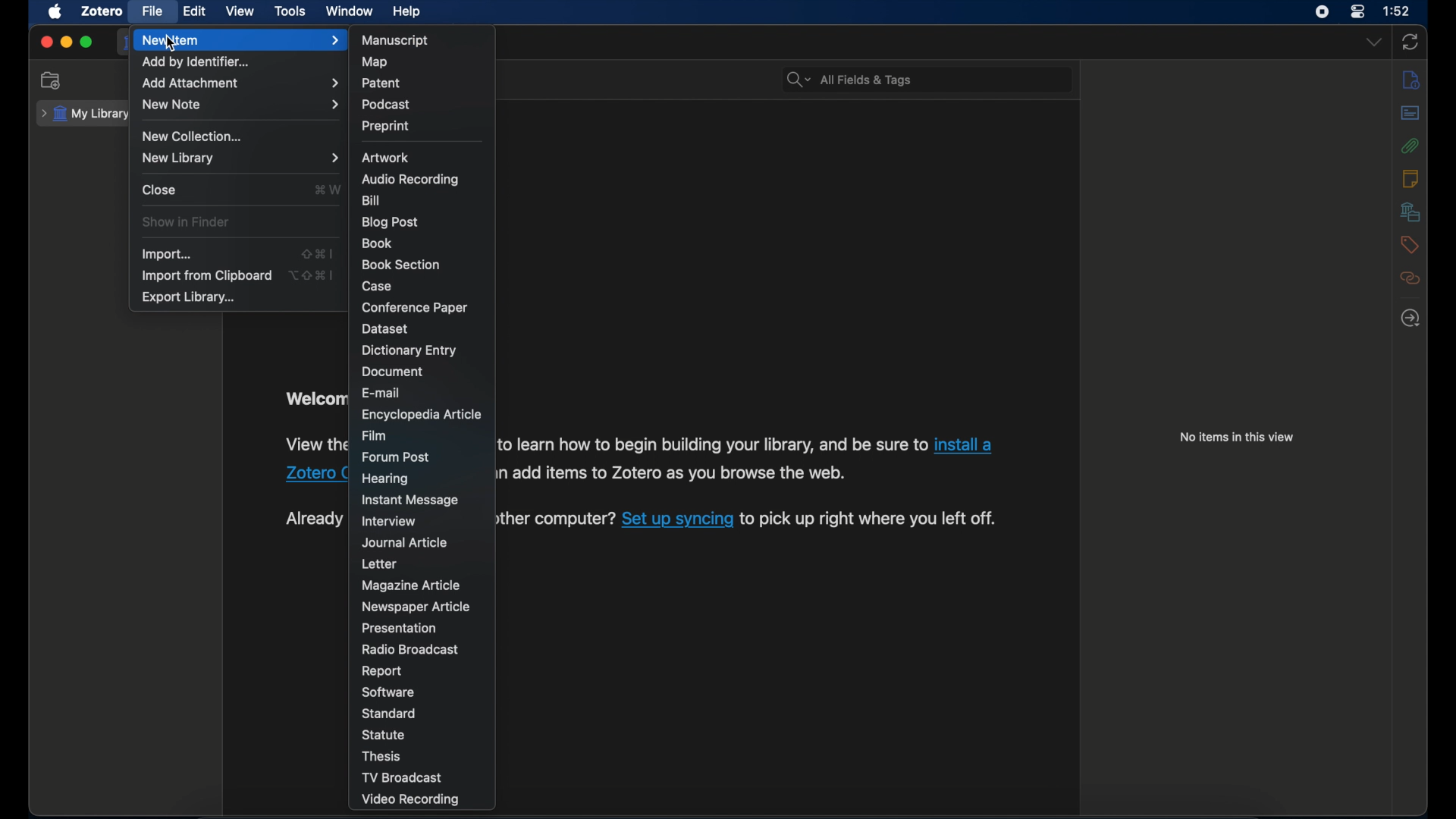 This screenshot has width=1456, height=819. Describe the element at coordinates (385, 105) in the screenshot. I see `podcast` at that location.